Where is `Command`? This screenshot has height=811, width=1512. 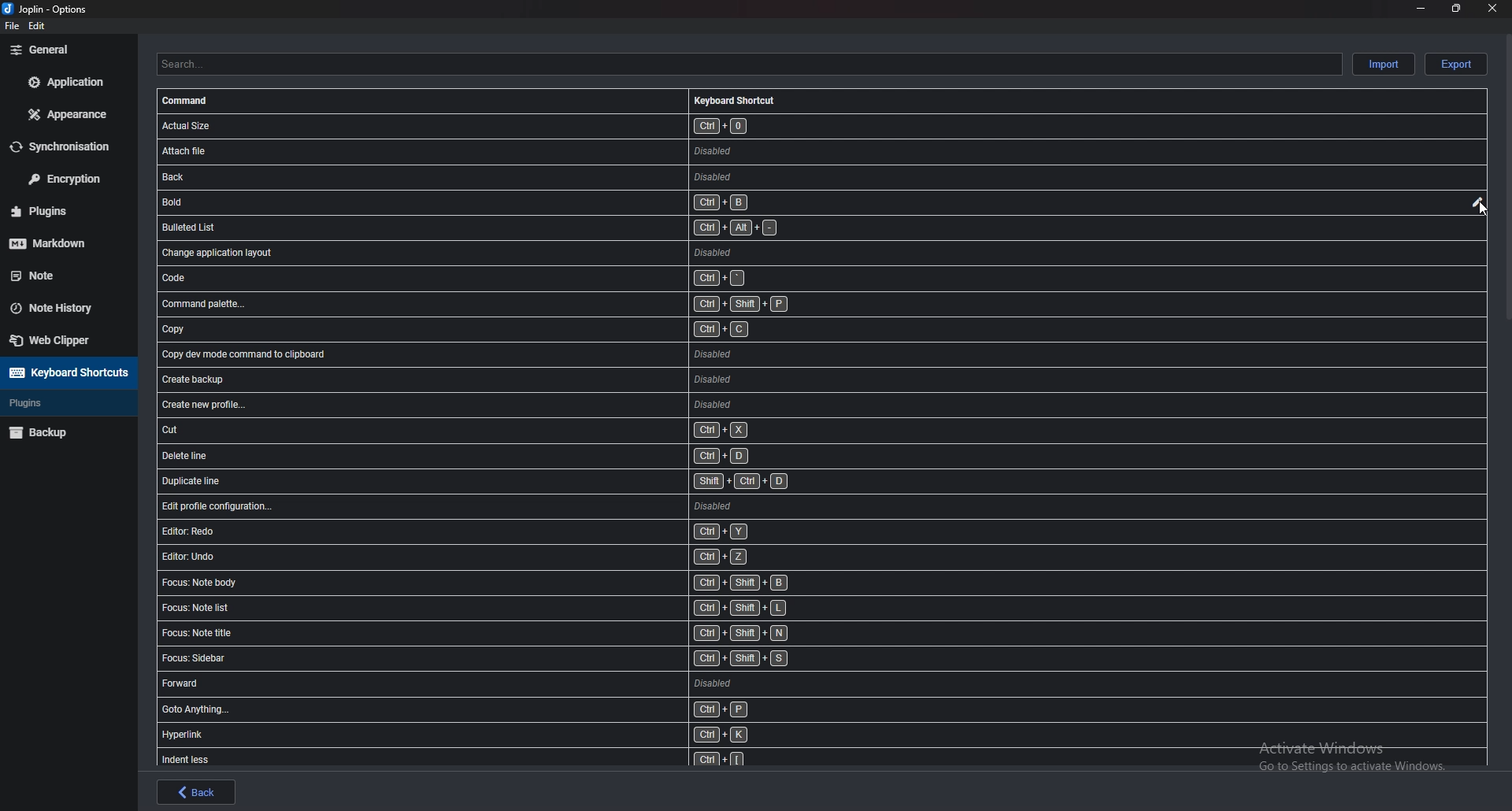
Command is located at coordinates (192, 100).